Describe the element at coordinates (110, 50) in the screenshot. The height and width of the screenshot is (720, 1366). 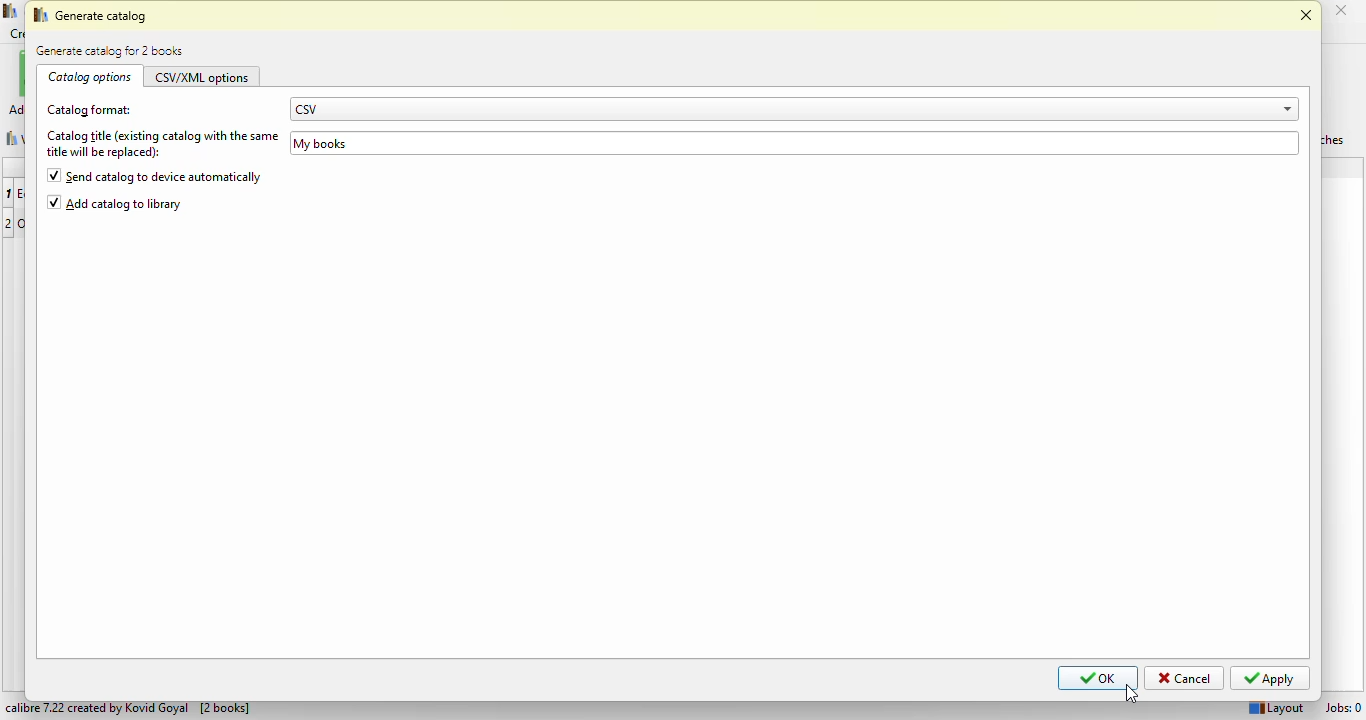
I see `generate catalog for 2 books` at that location.